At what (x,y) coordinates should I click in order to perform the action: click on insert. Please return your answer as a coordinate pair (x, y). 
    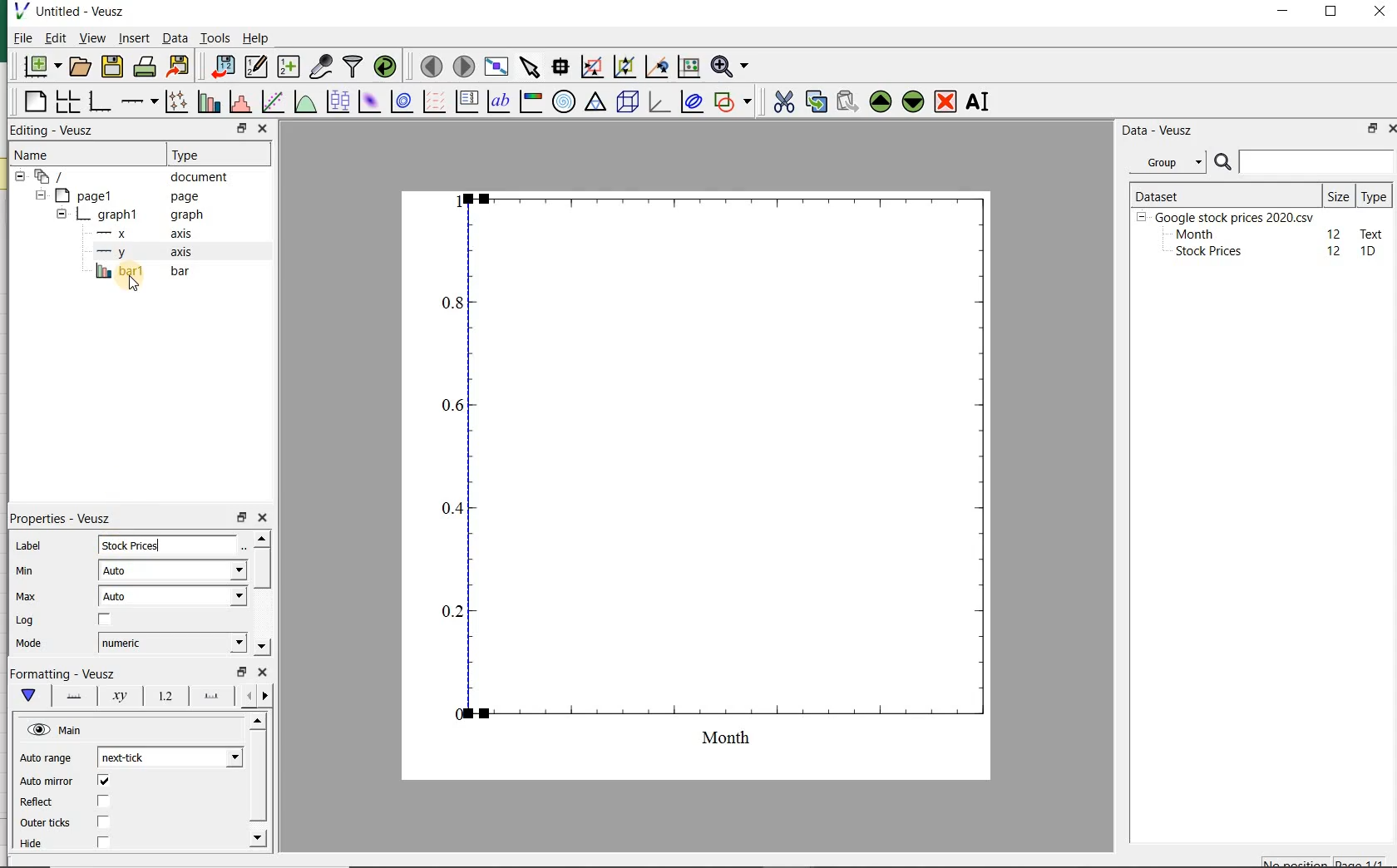
    Looking at the image, I should click on (134, 39).